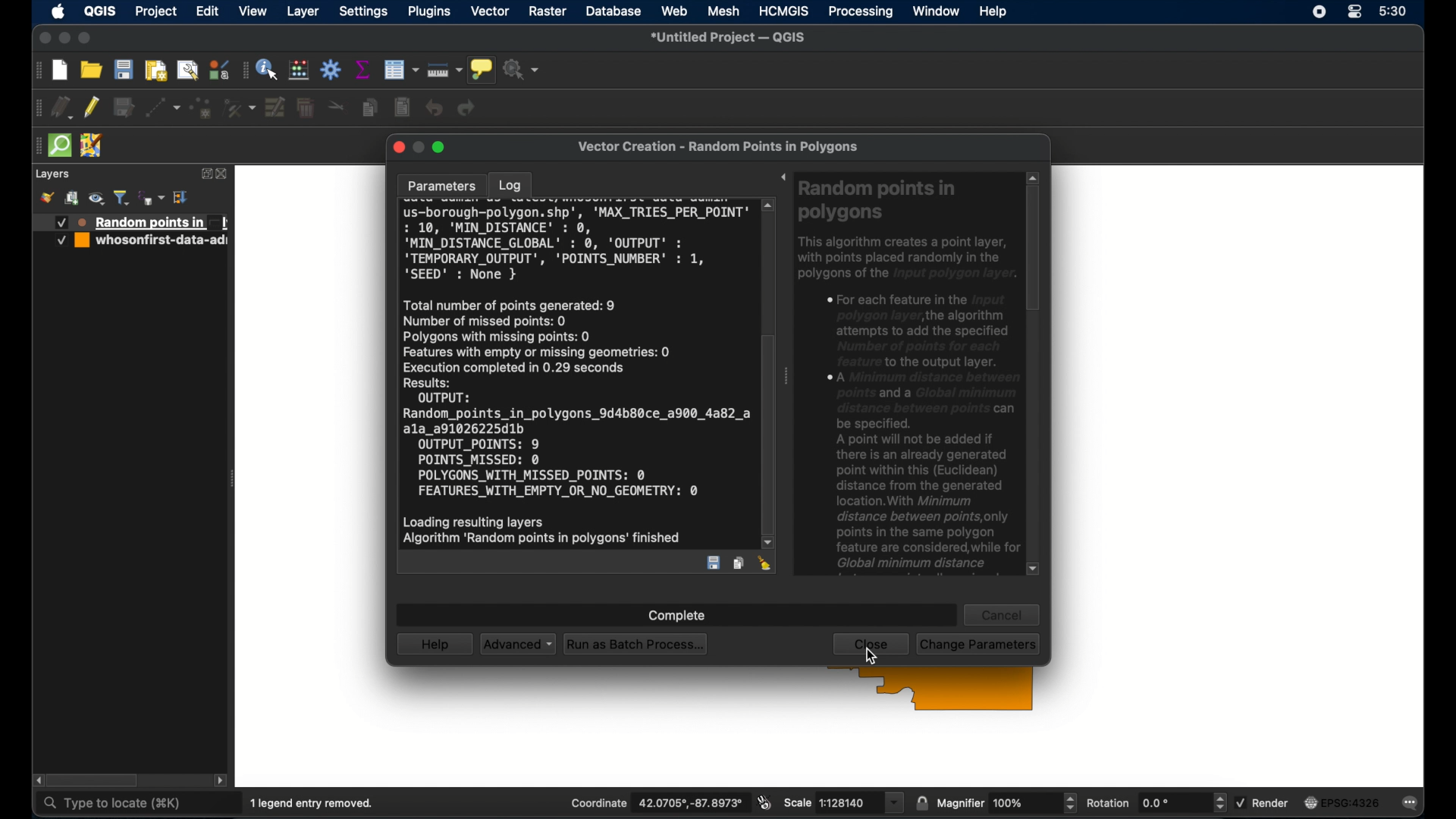 The width and height of the screenshot is (1456, 819). I want to click on current crs, so click(1341, 803).